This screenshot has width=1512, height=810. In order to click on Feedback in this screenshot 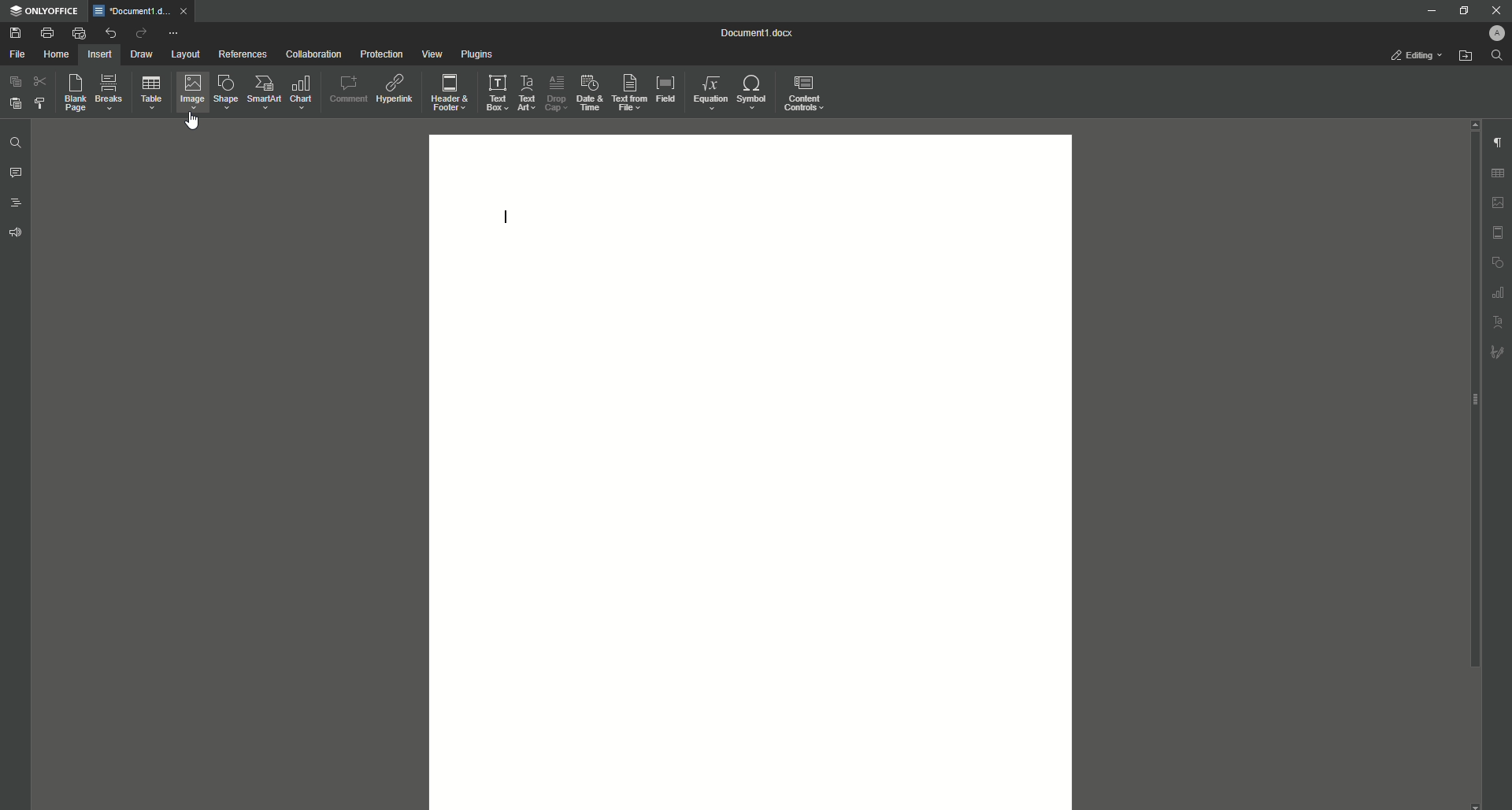, I will do `click(17, 234)`.